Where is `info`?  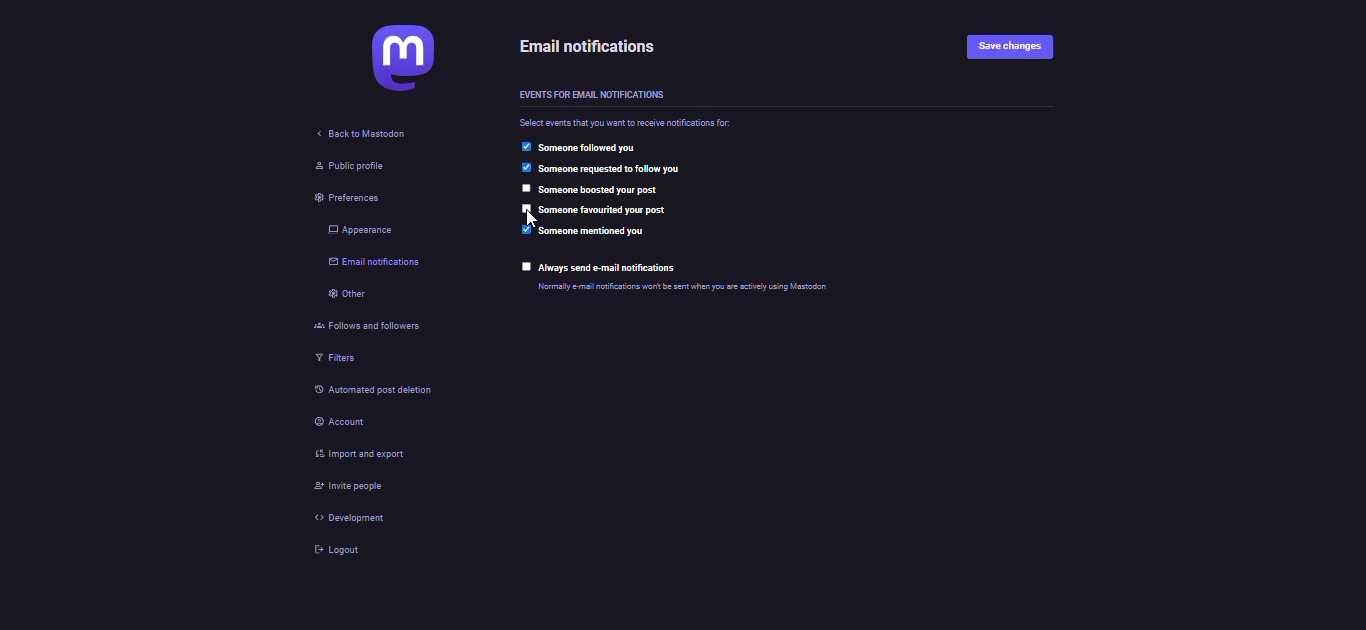 info is located at coordinates (741, 286).